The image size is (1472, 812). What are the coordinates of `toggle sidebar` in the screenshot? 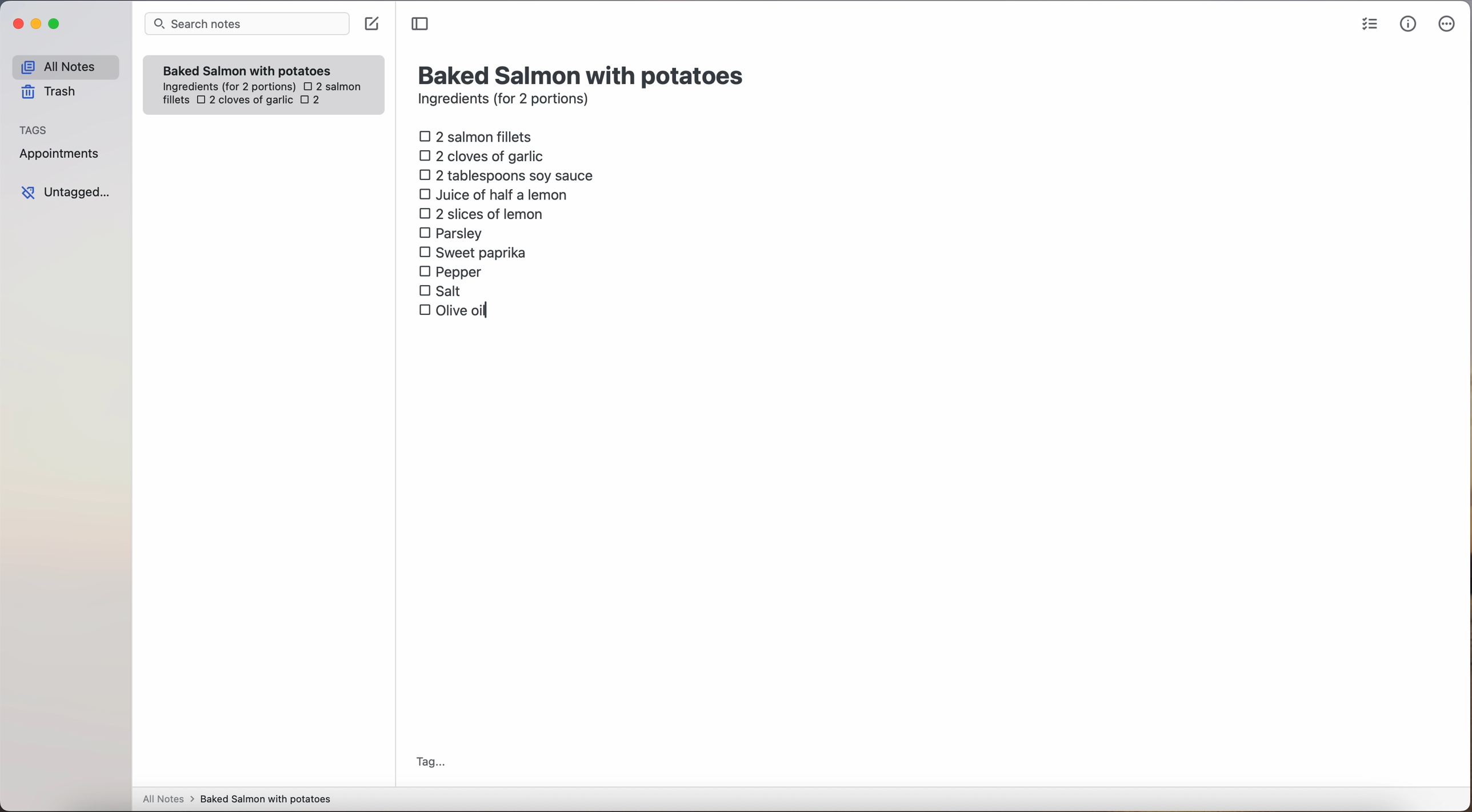 It's located at (421, 25).